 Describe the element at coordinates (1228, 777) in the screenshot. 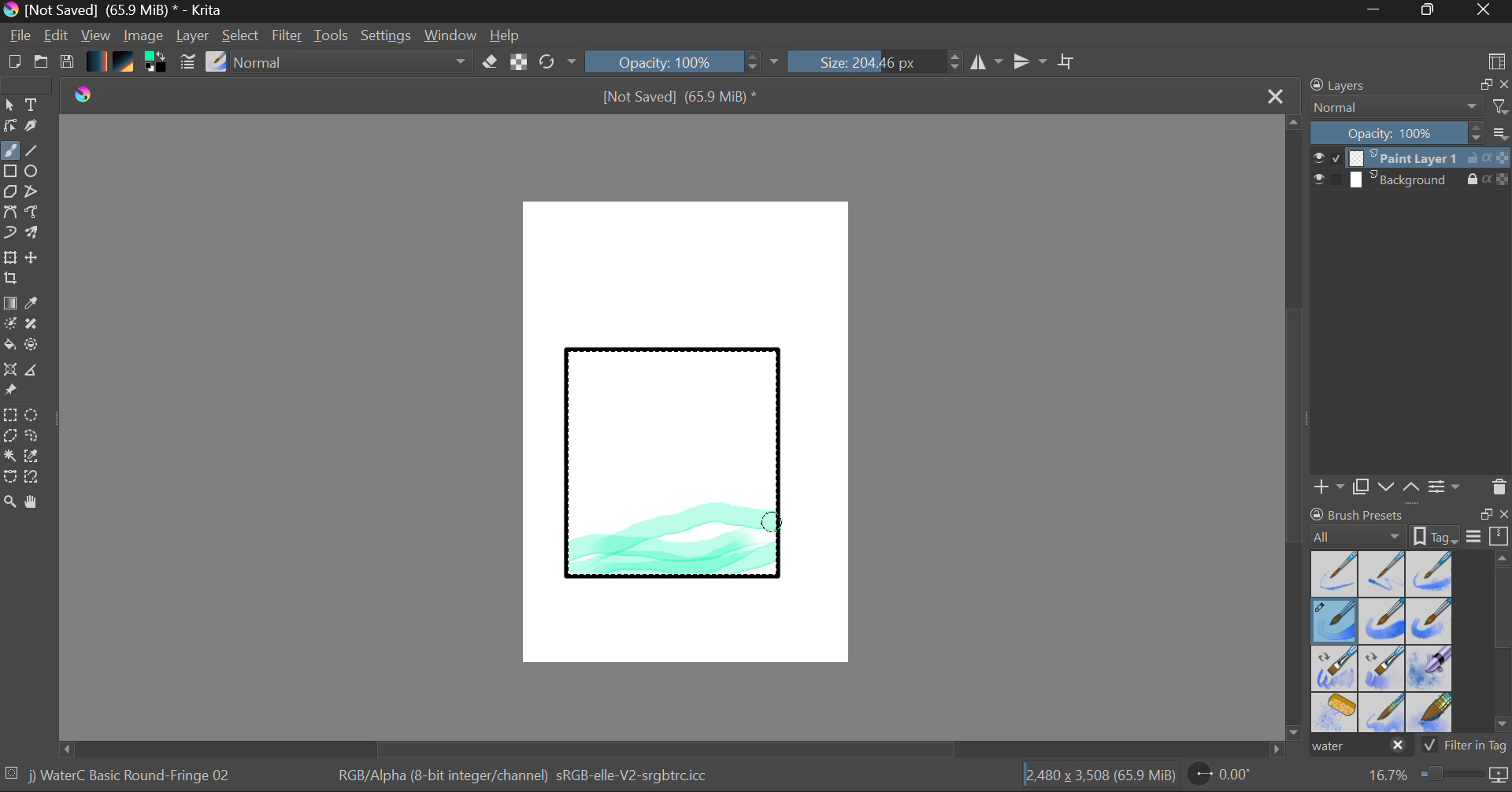

I see `Page Rotation` at that location.